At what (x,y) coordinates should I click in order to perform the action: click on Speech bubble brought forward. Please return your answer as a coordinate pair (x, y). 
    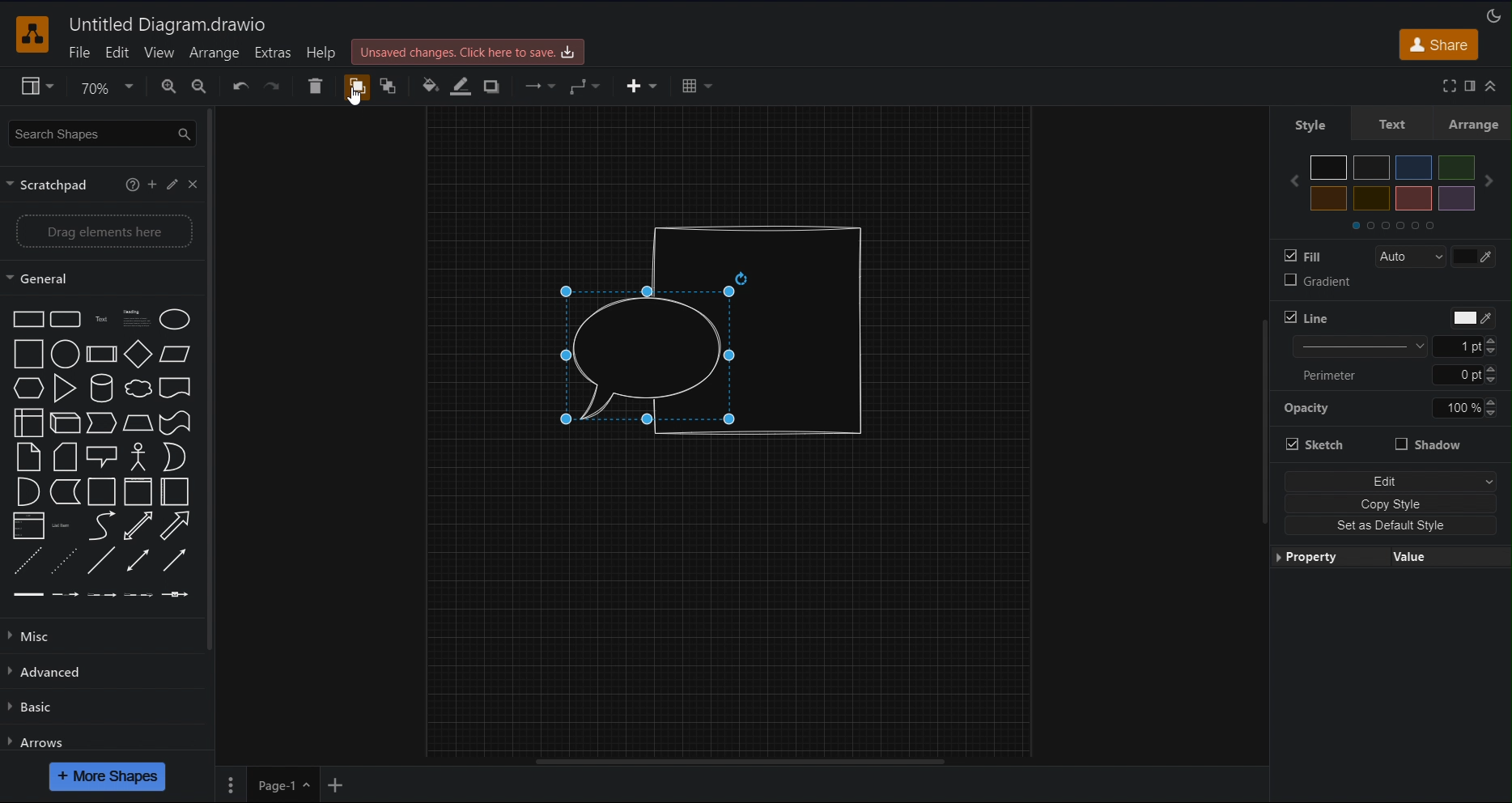
    Looking at the image, I should click on (648, 356).